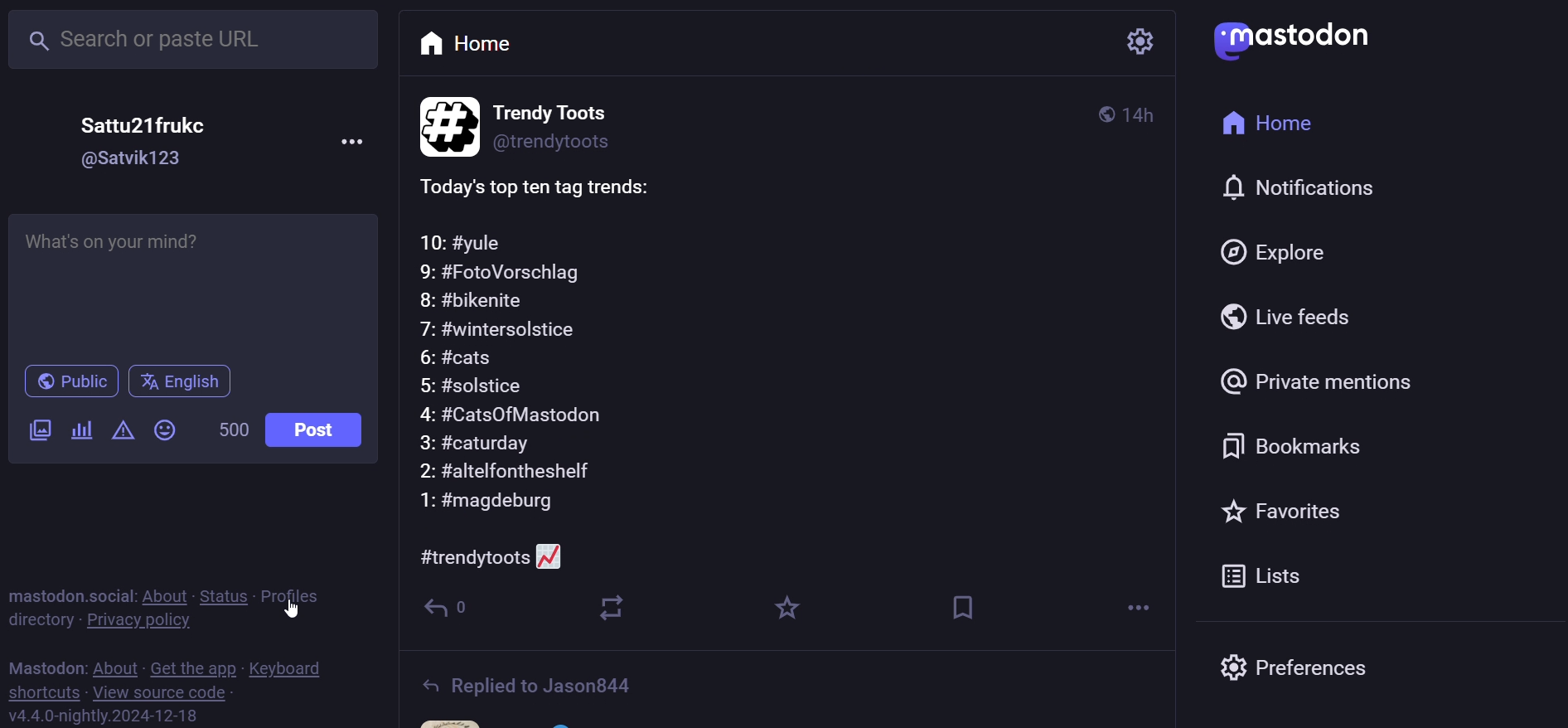 The width and height of the screenshot is (1568, 728). Describe the element at coordinates (965, 608) in the screenshot. I see `bookmark` at that location.